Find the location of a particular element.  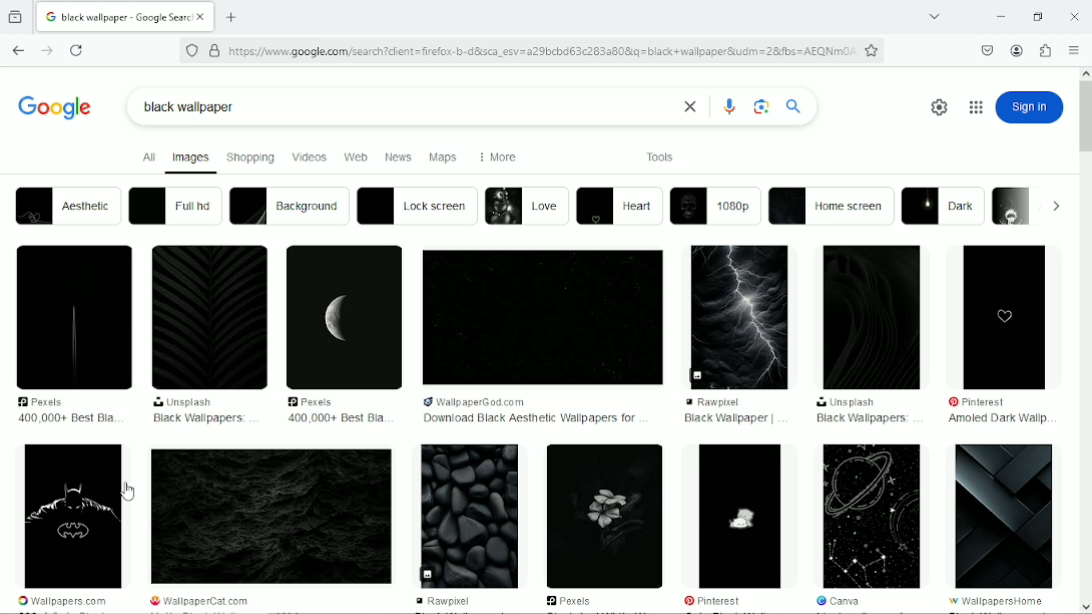

love is located at coordinates (526, 205).